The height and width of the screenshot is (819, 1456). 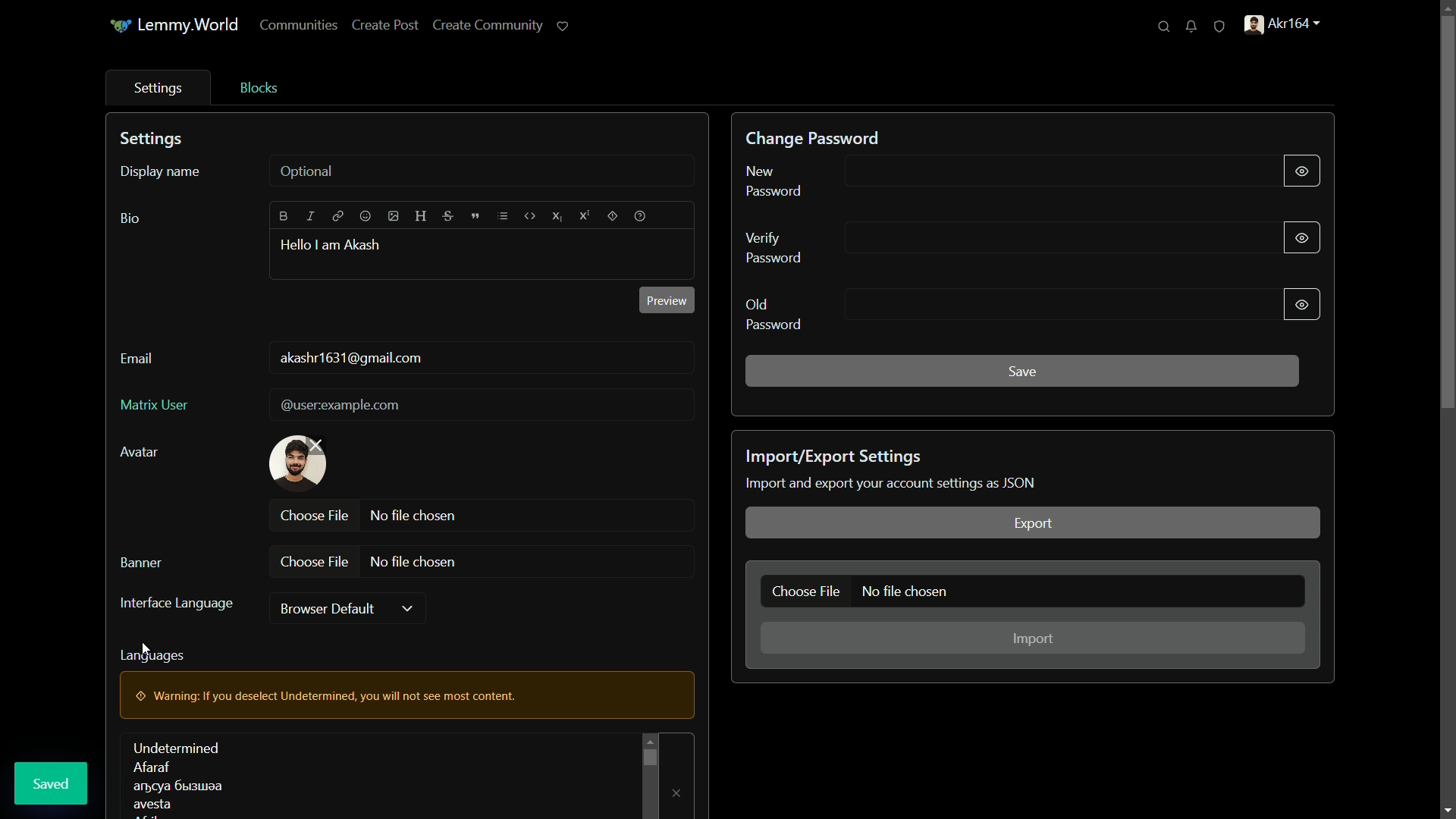 What do you see at coordinates (315, 562) in the screenshot?
I see `choose file` at bounding box center [315, 562].